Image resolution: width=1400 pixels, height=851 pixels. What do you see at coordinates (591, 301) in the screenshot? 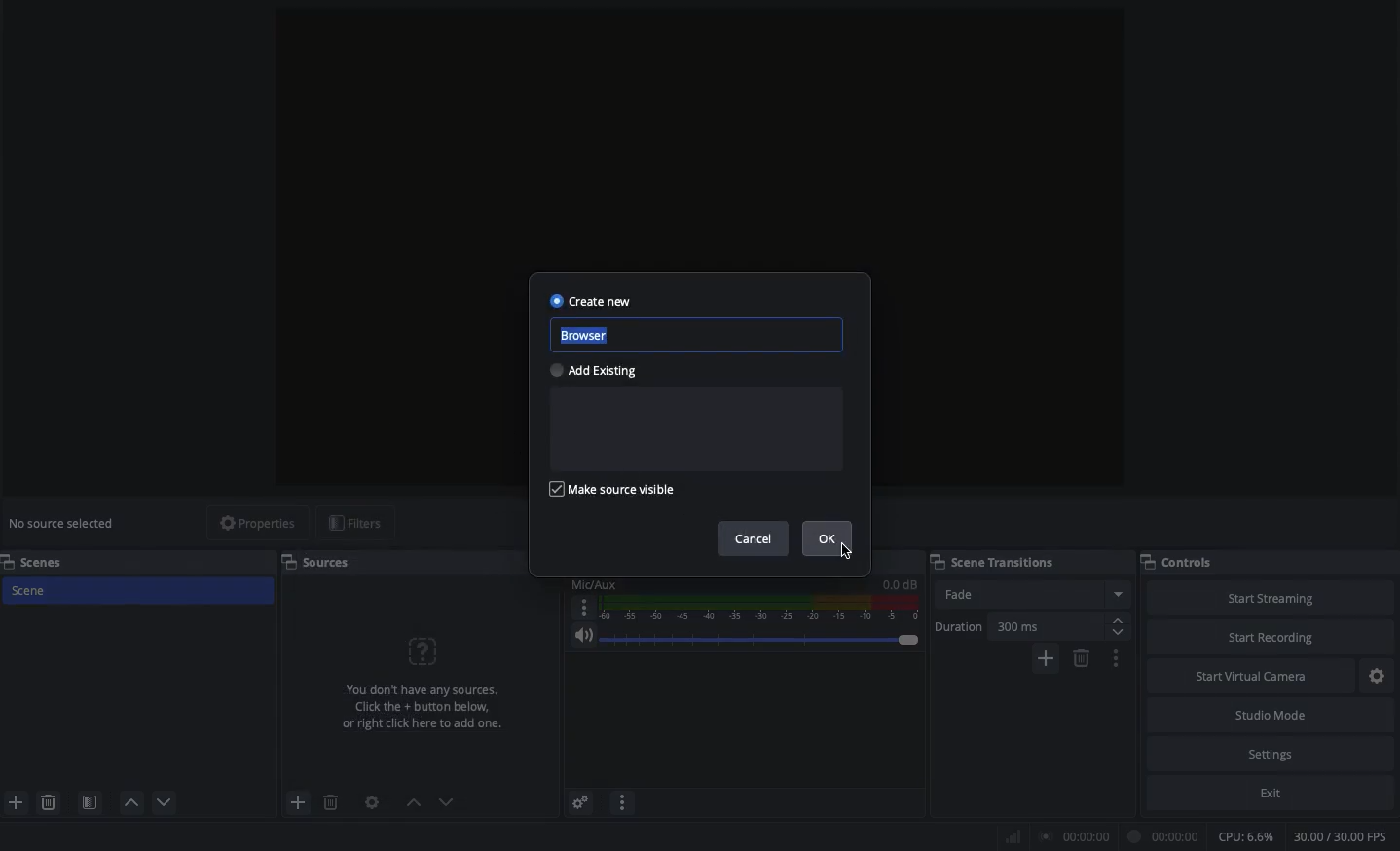
I see `Create new` at bounding box center [591, 301].